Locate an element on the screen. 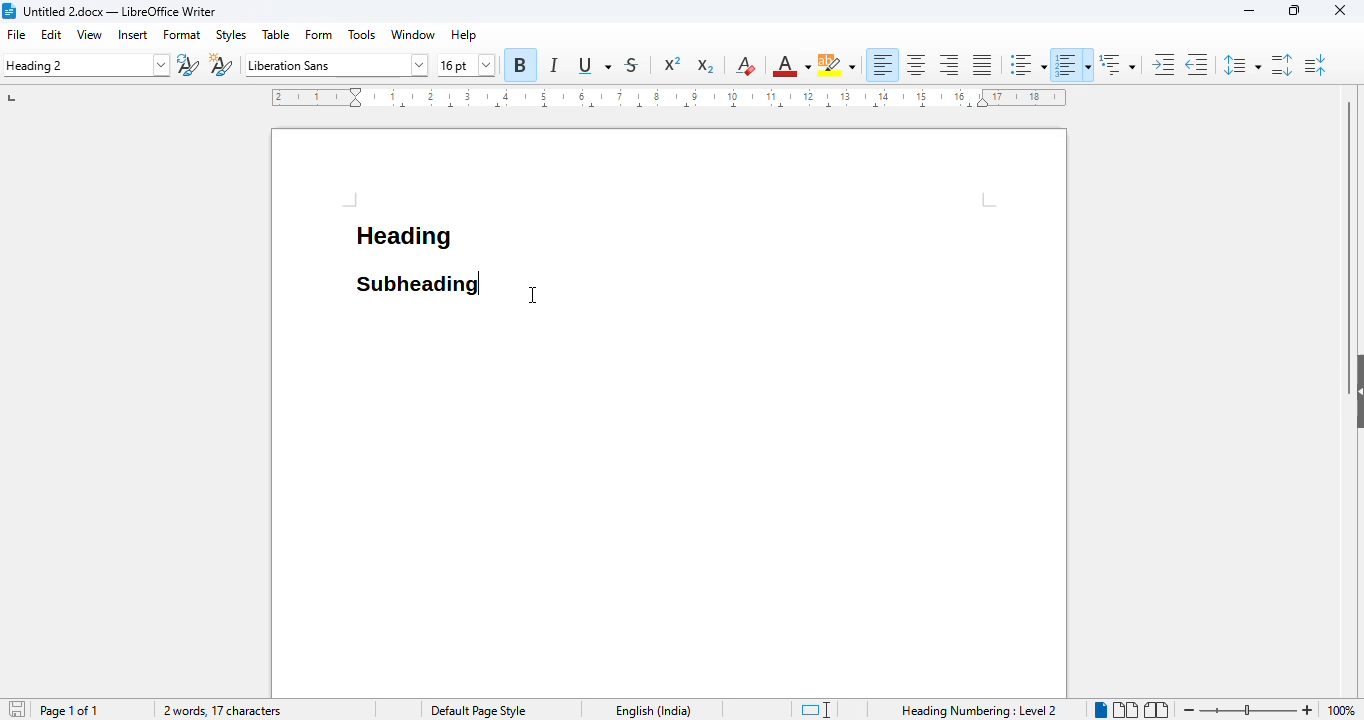 The width and height of the screenshot is (1364, 720). toggle ordered list is located at coordinates (1072, 65).